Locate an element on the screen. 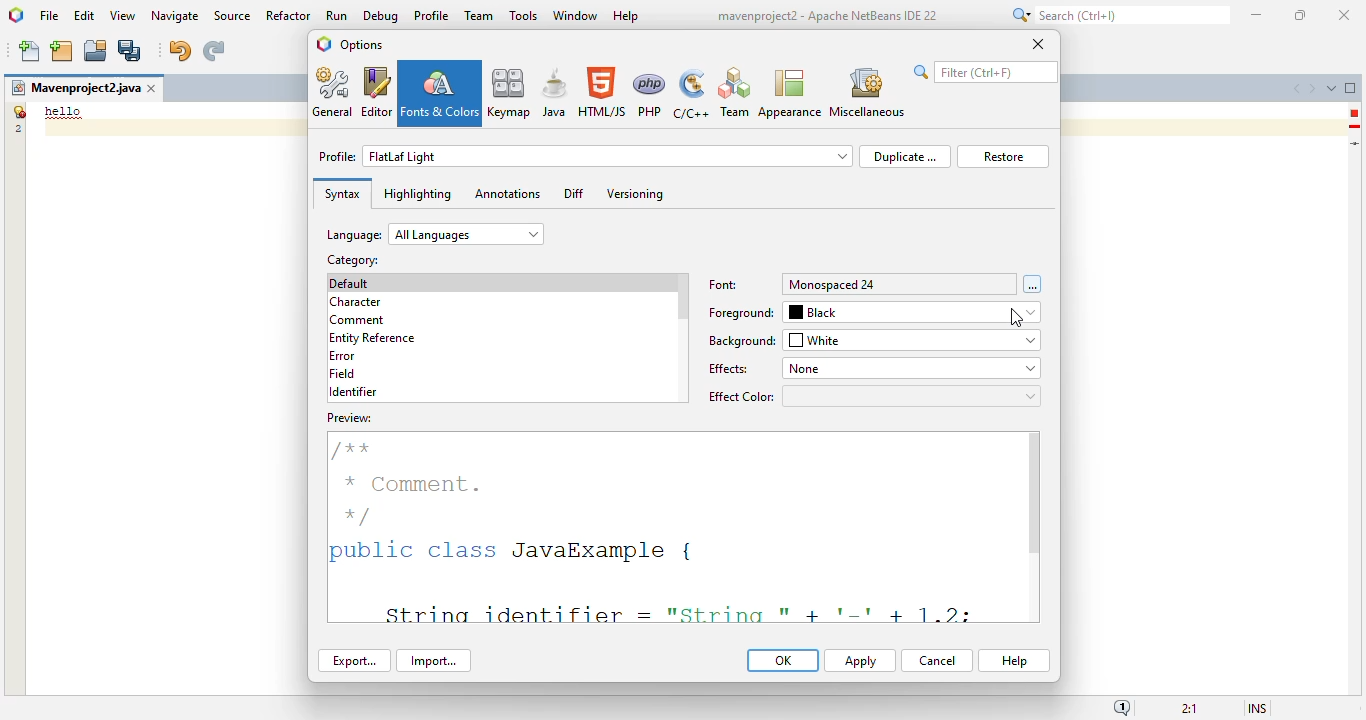 This screenshot has height=720, width=1366. maximize is located at coordinates (1299, 15).